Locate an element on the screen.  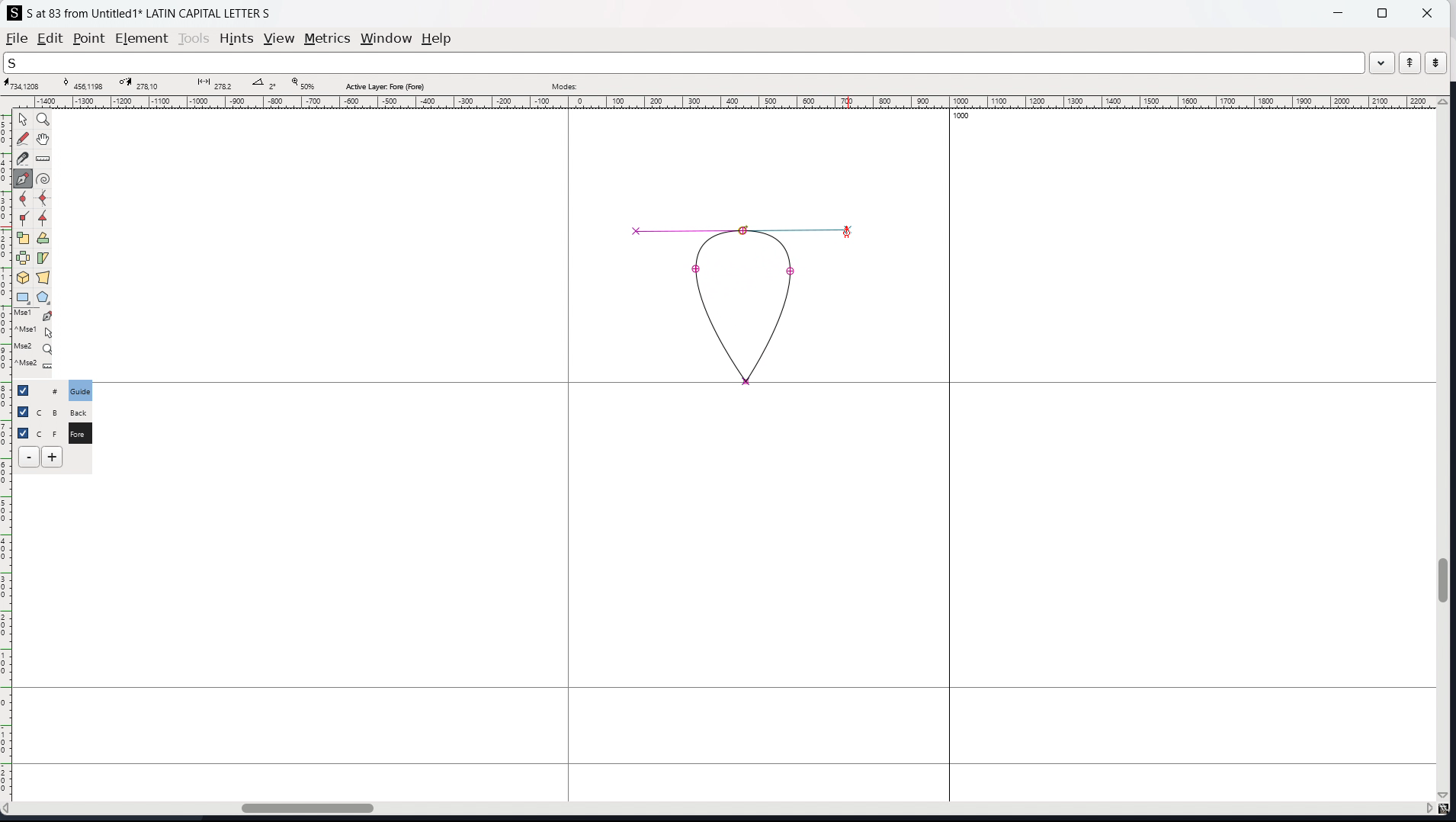
cursor destination coordinate is located at coordinates (144, 84).